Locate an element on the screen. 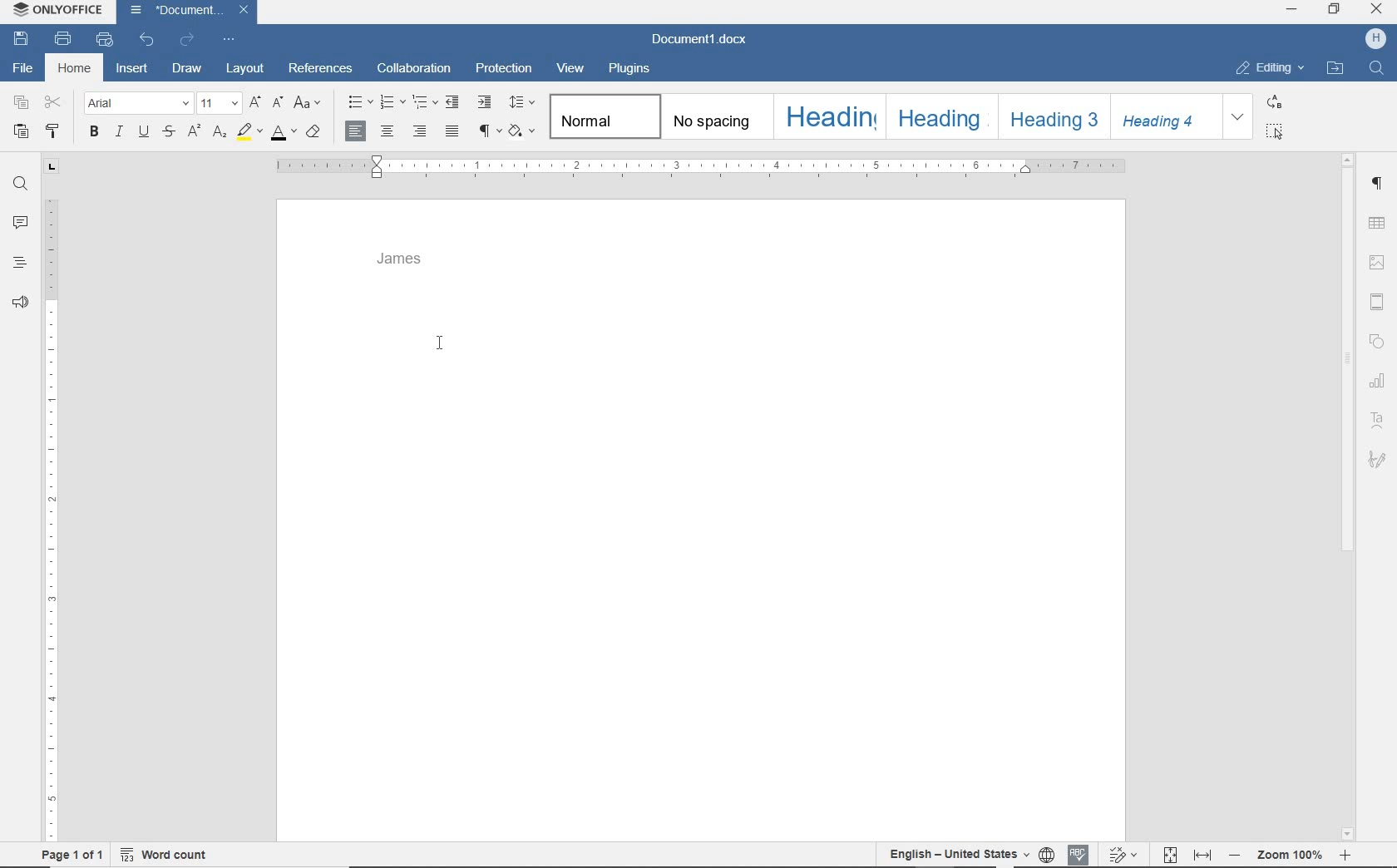 Image resolution: width=1397 pixels, height=868 pixels. font size is located at coordinates (220, 103).